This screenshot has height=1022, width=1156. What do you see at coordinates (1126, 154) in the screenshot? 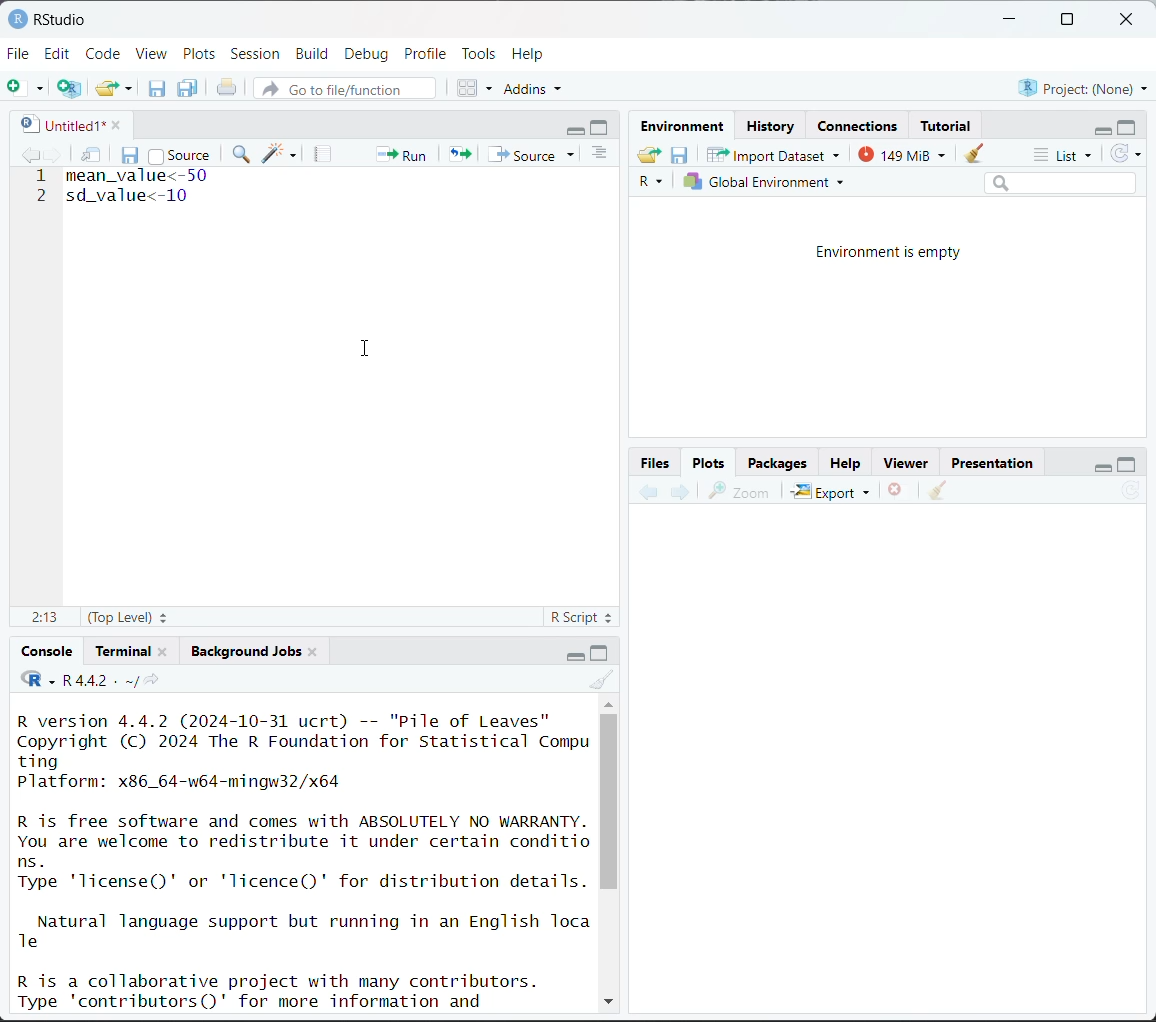
I see `refresh the list` at bounding box center [1126, 154].